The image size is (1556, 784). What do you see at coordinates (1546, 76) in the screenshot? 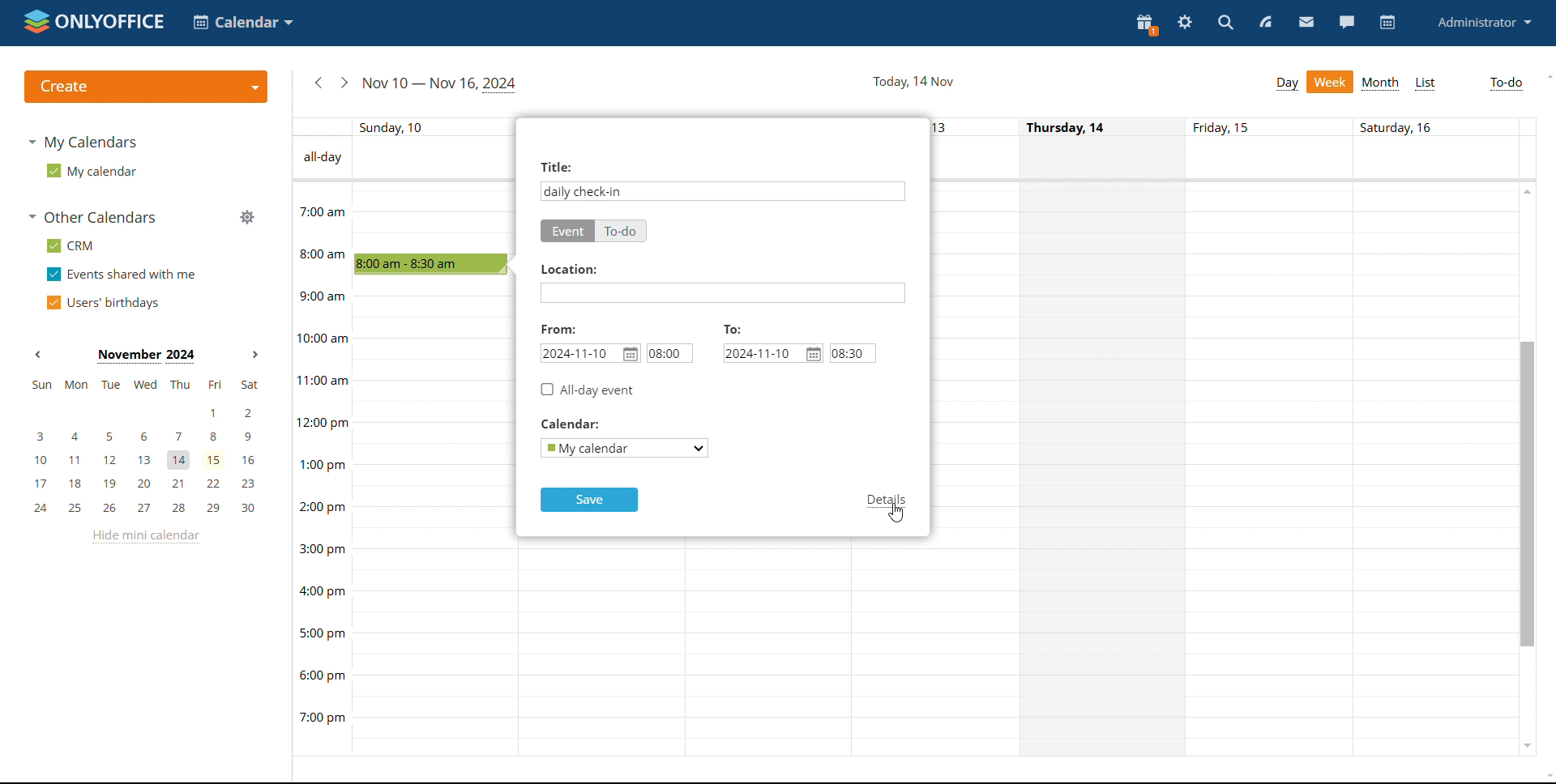
I see `scroll up` at bounding box center [1546, 76].